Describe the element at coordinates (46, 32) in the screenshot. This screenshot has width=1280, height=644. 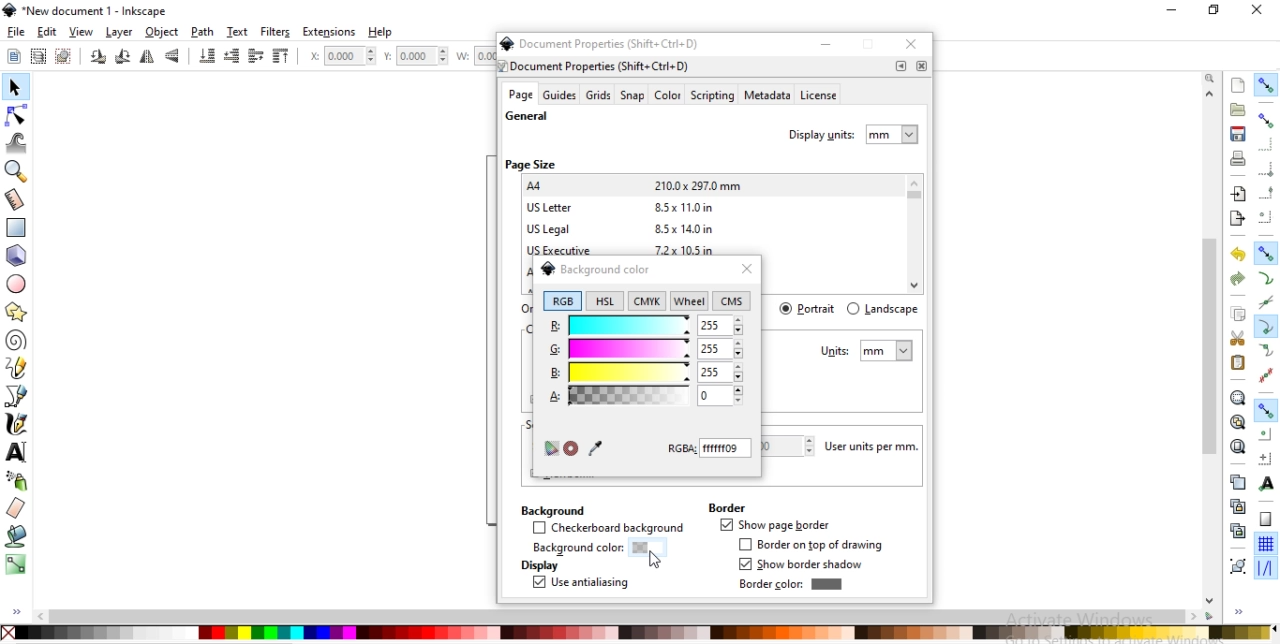
I see `edit` at that location.